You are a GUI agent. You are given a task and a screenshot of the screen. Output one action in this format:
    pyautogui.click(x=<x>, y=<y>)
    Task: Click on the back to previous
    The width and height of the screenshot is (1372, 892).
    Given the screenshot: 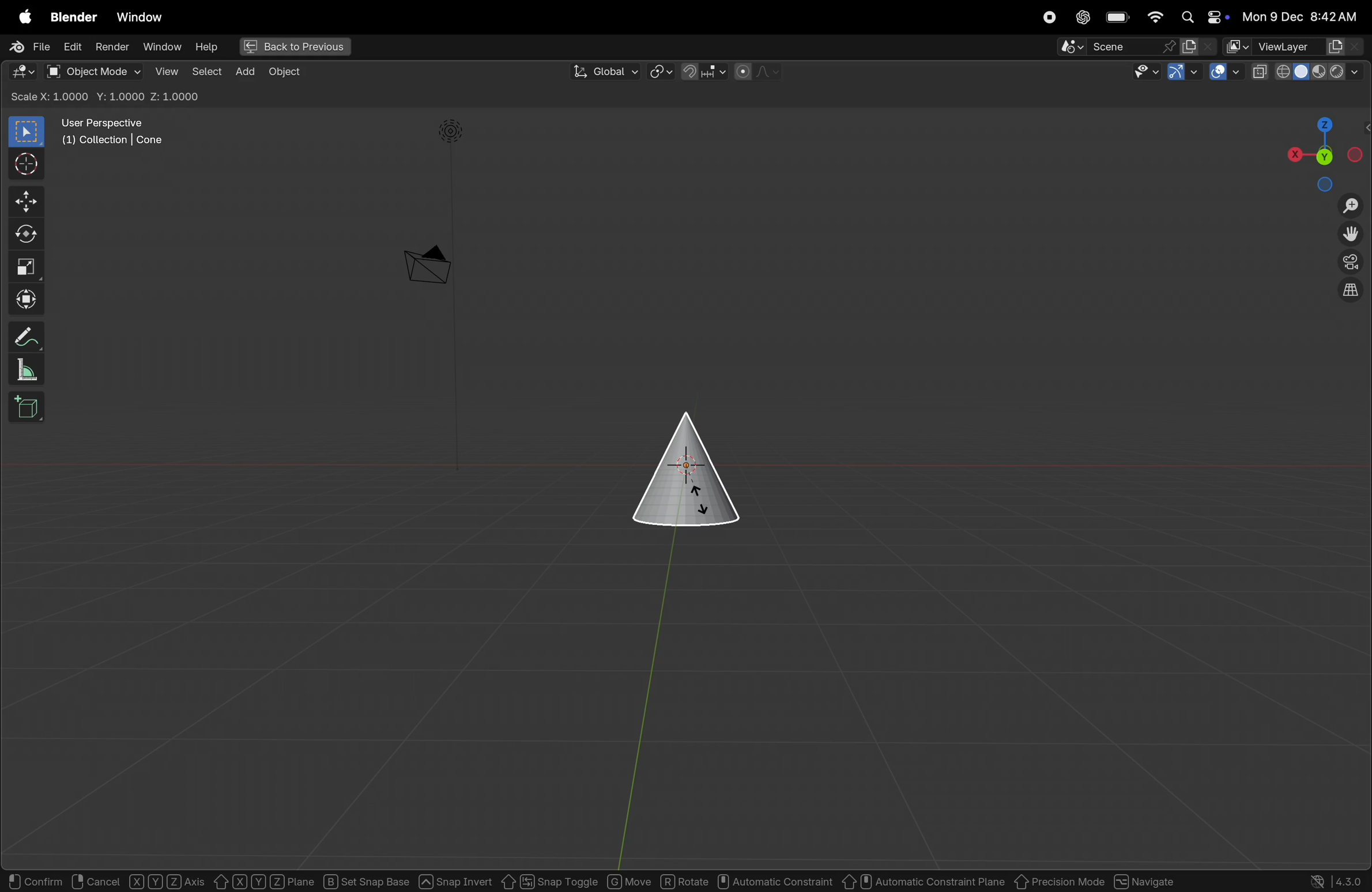 What is the action you would take?
    pyautogui.click(x=296, y=47)
    